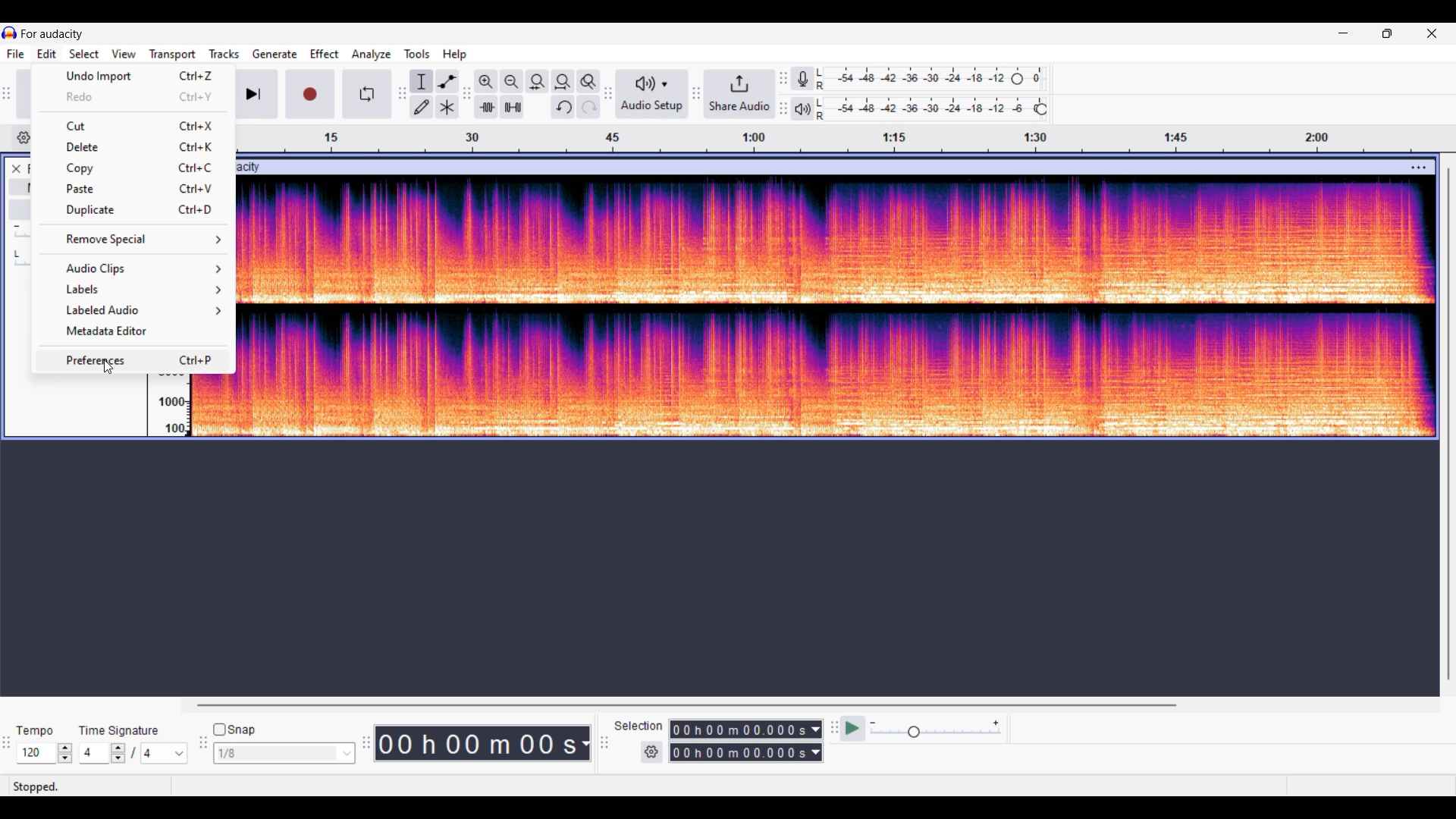 The width and height of the screenshot is (1456, 819). Describe the element at coordinates (447, 82) in the screenshot. I see `Envelop tool` at that location.